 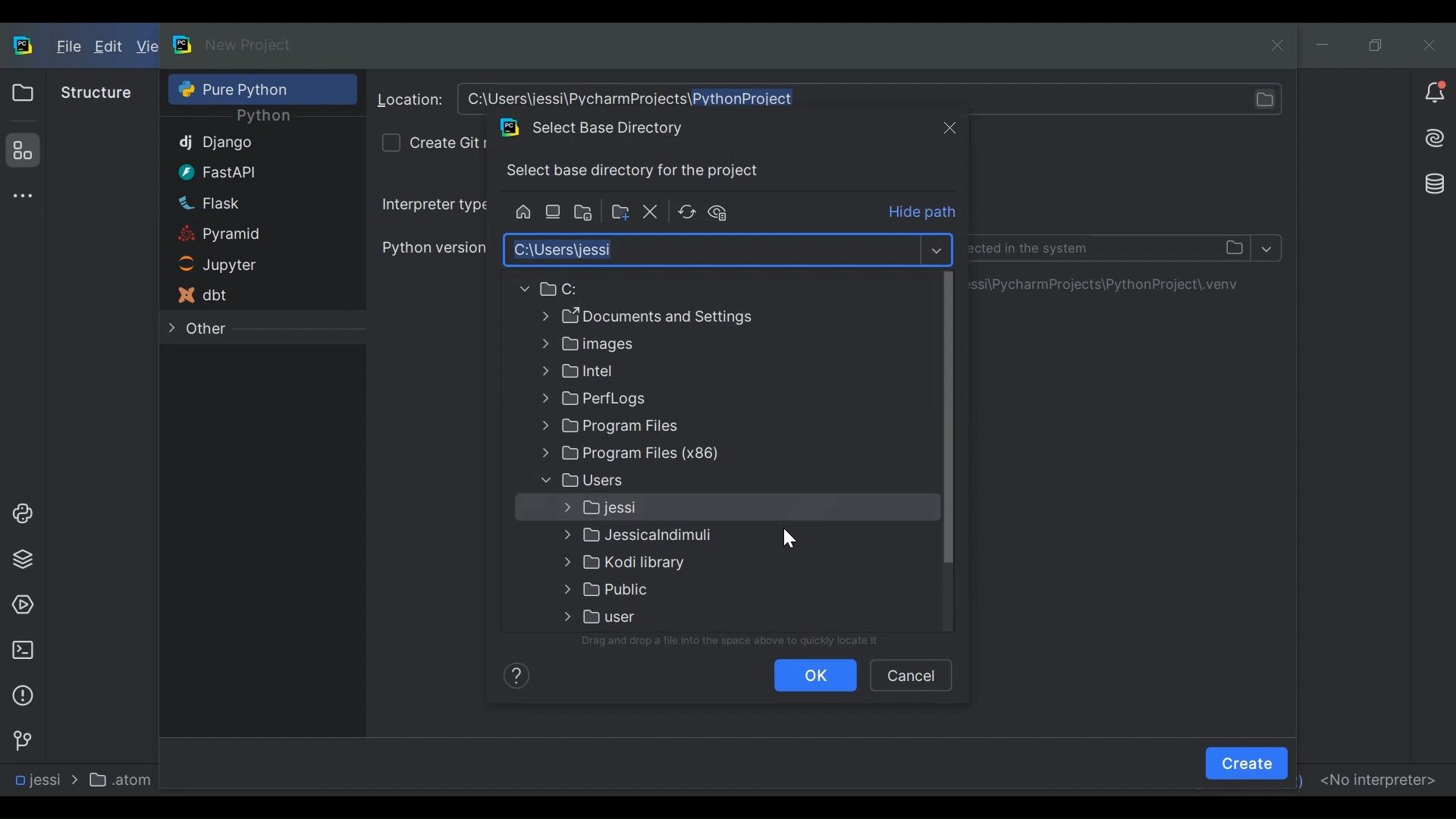 What do you see at coordinates (1247, 763) in the screenshot?
I see `Create` at bounding box center [1247, 763].